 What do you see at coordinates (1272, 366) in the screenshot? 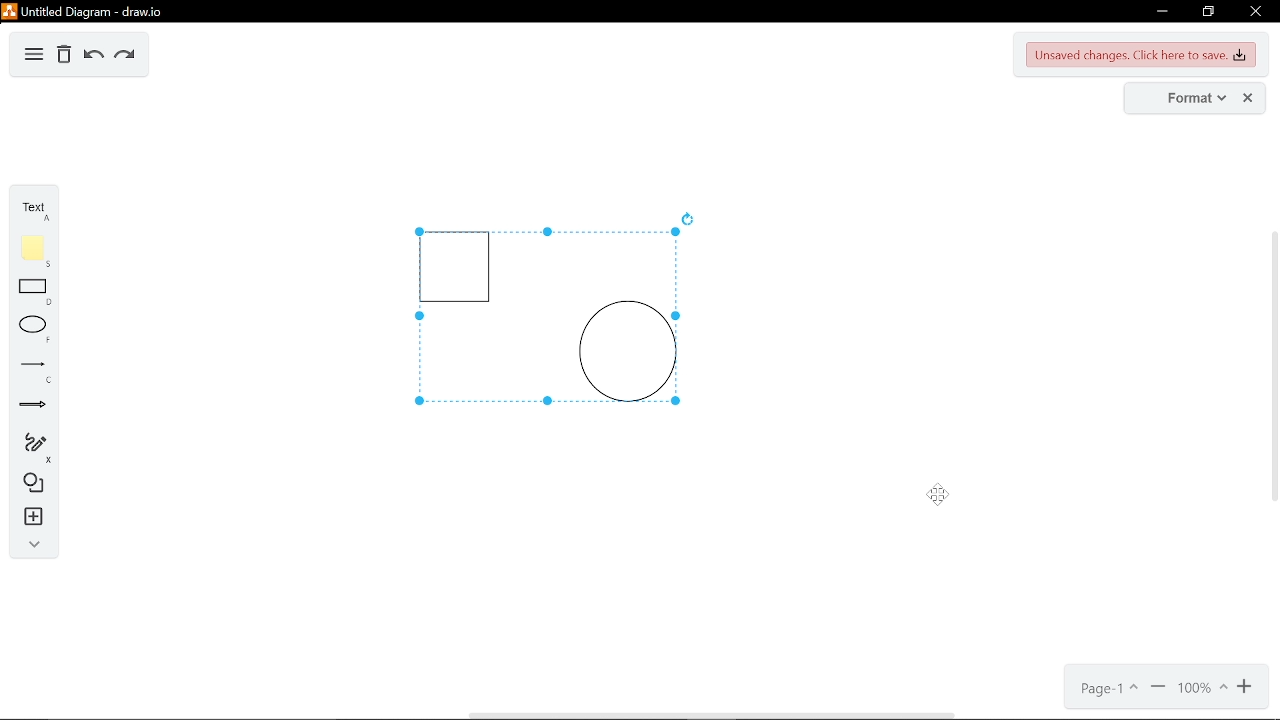
I see `vertical scrollbar` at bounding box center [1272, 366].